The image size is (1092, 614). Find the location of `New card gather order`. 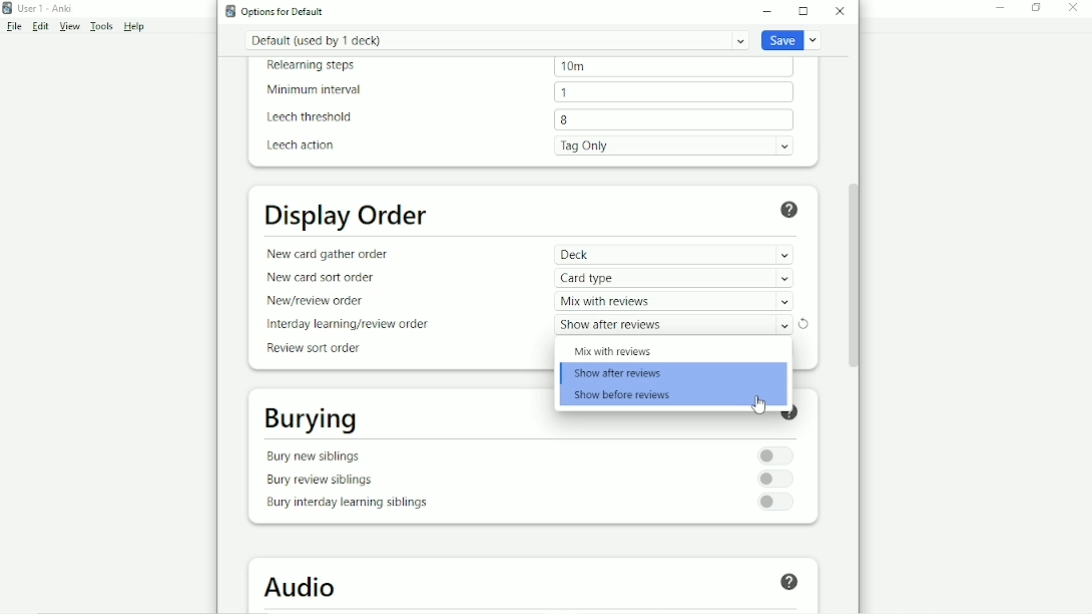

New card gather order is located at coordinates (326, 254).